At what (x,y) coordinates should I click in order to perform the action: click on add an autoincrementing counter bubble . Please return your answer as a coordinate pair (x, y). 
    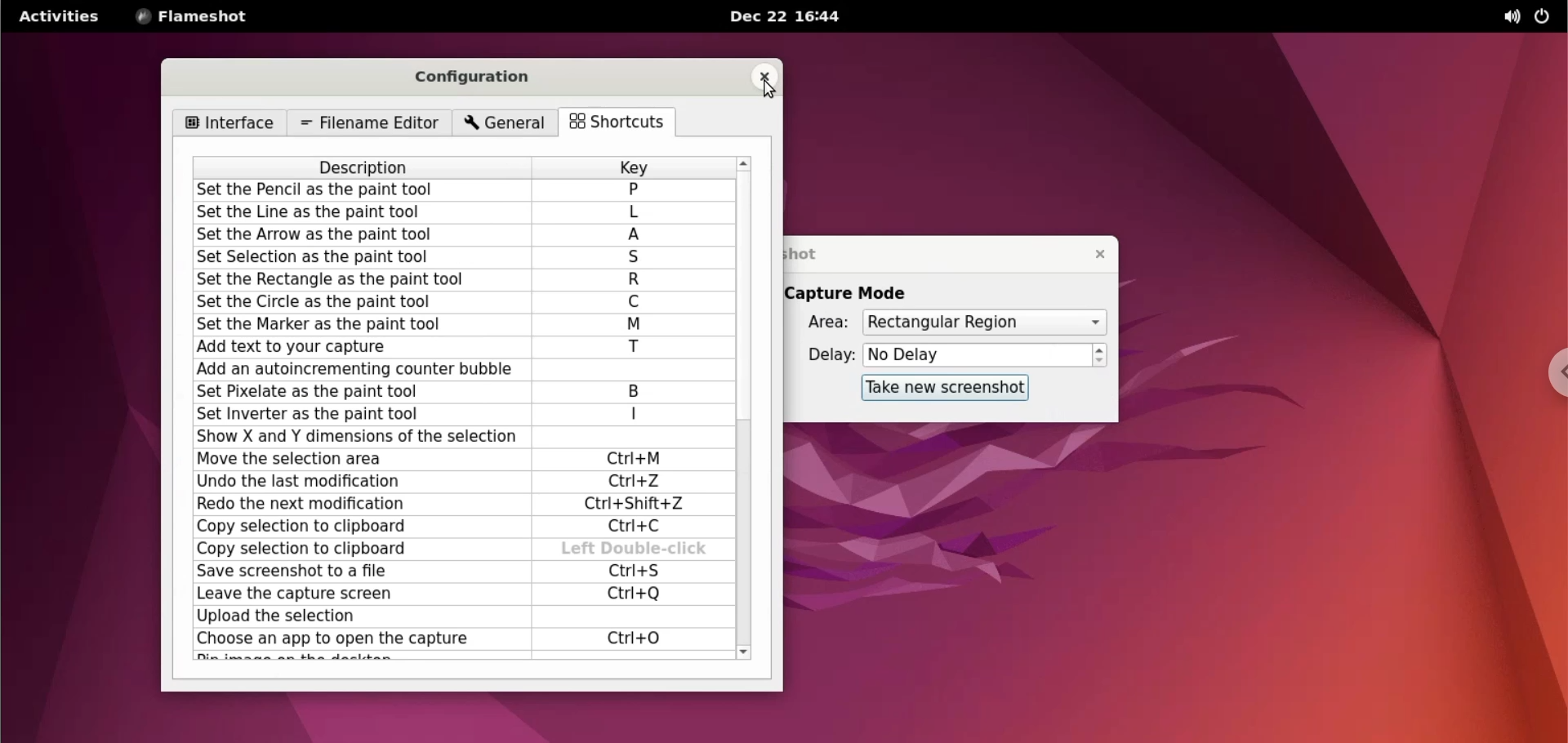
    Looking at the image, I should click on (355, 371).